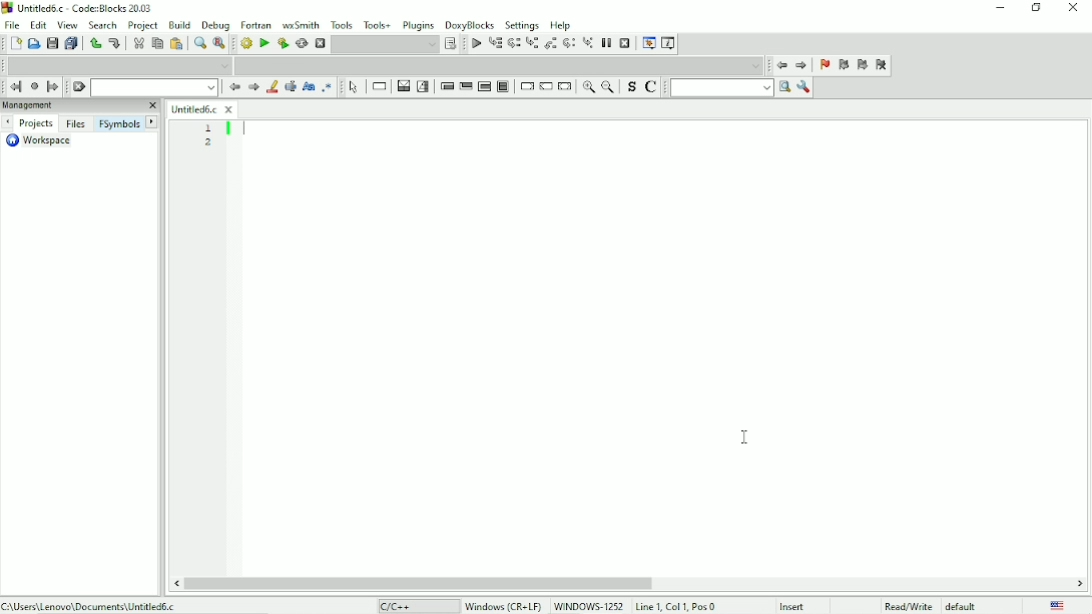 This screenshot has width=1092, height=614. I want to click on Cut, so click(138, 43).